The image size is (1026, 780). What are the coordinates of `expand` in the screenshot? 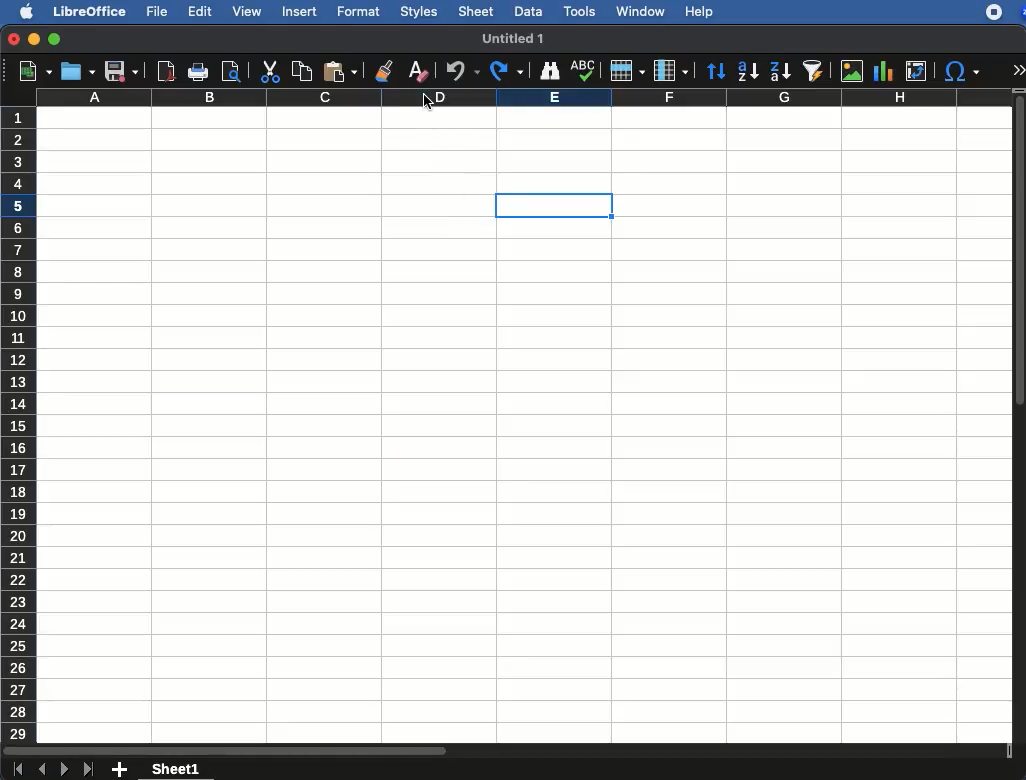 It's located at (1018, 69).